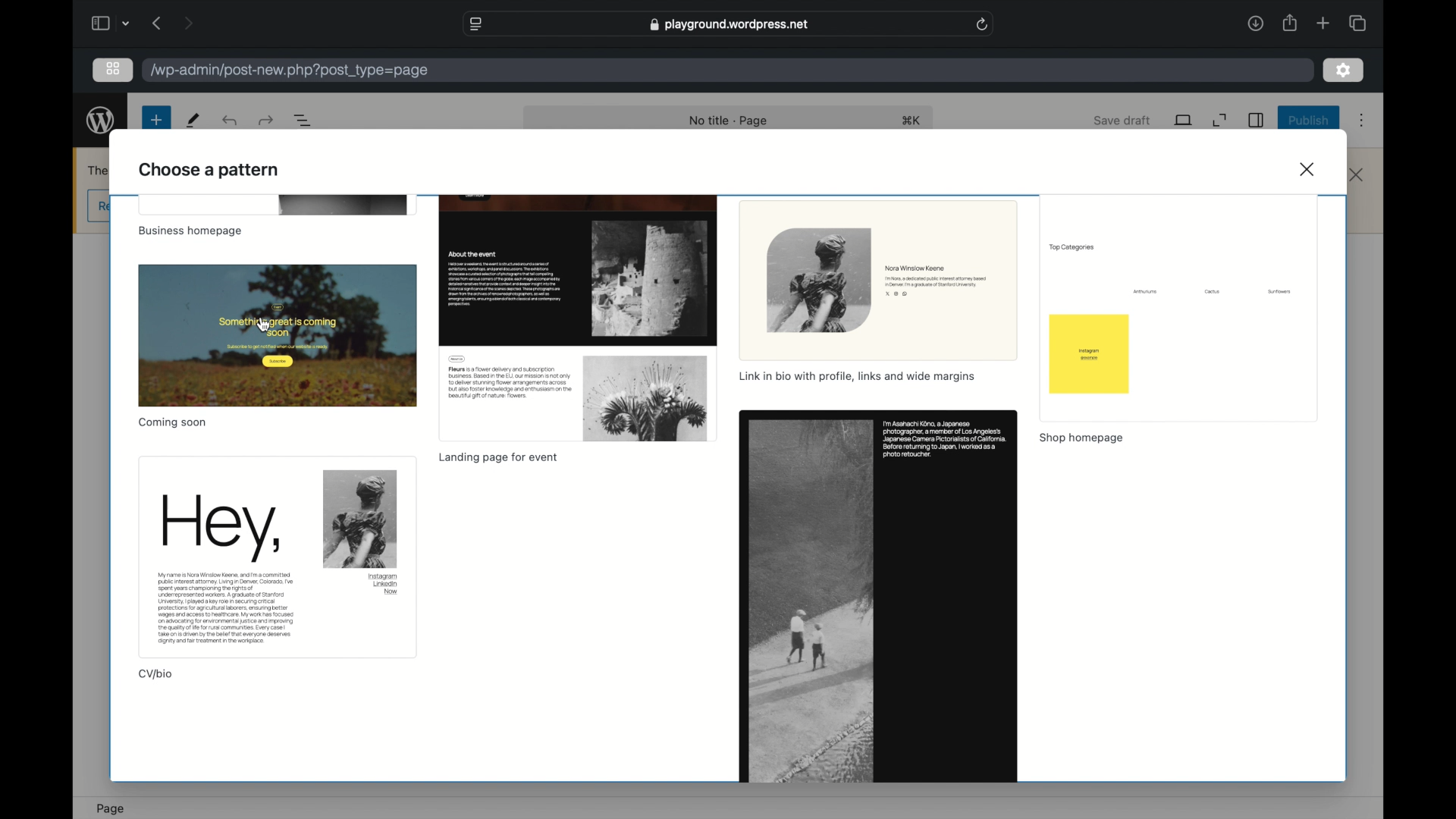 Image resolution: width=1456 pixels, height=819 pixels. Describe the element at coordinates (579, 317) in the screenshot. I see `preview` at that location.